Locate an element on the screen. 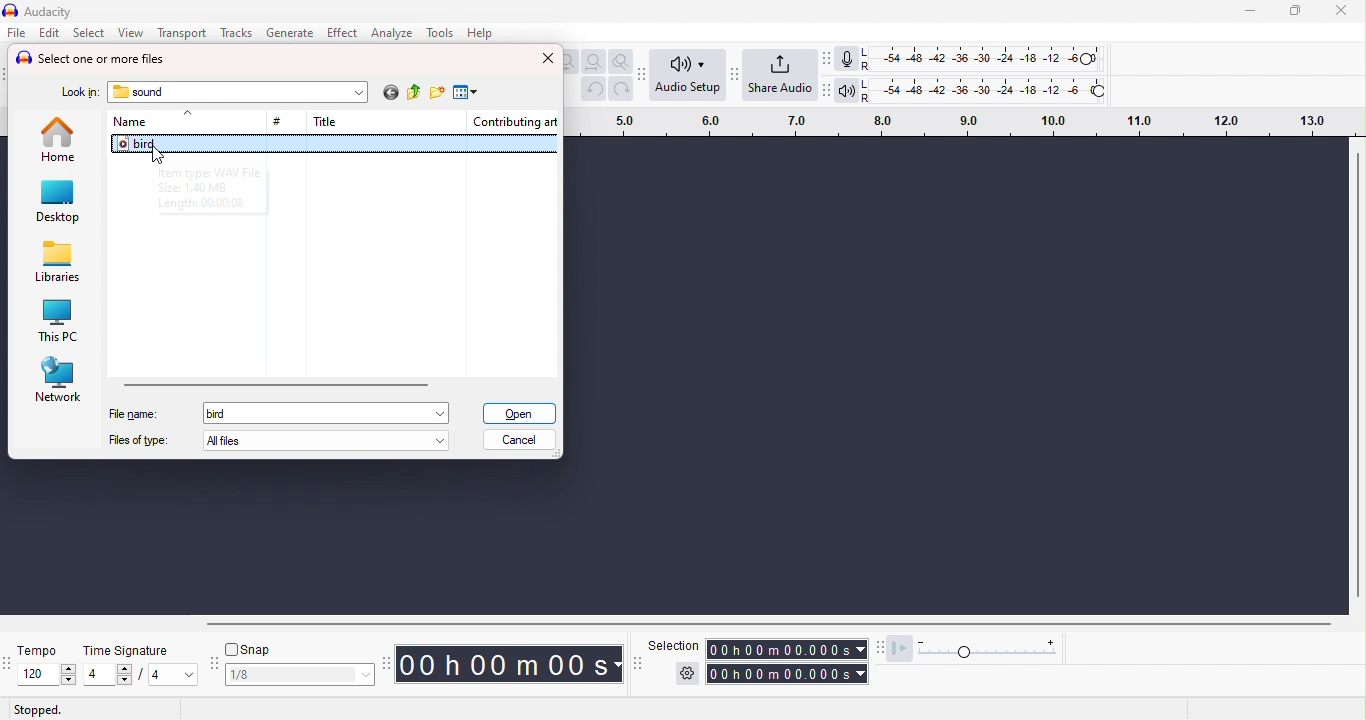  selection options is located at coordinates (687, 675).